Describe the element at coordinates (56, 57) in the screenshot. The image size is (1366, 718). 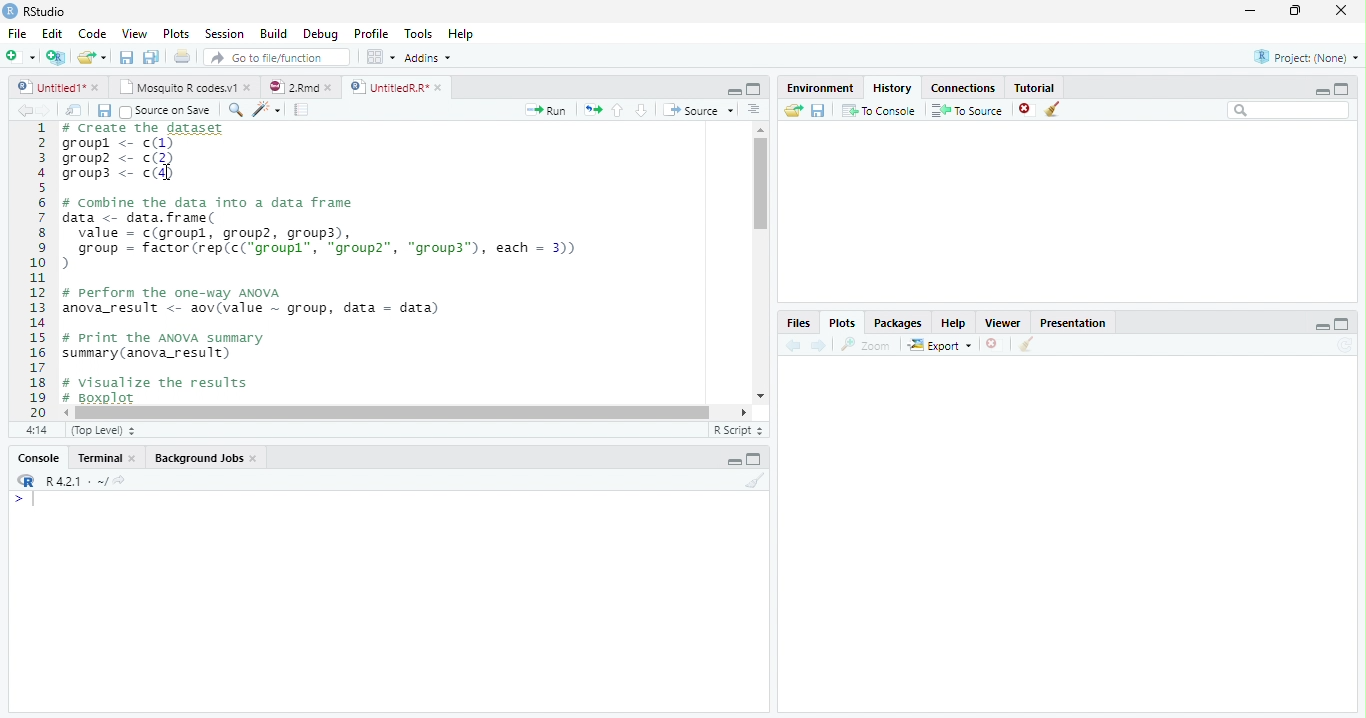
I see `Create a Project` at that location.